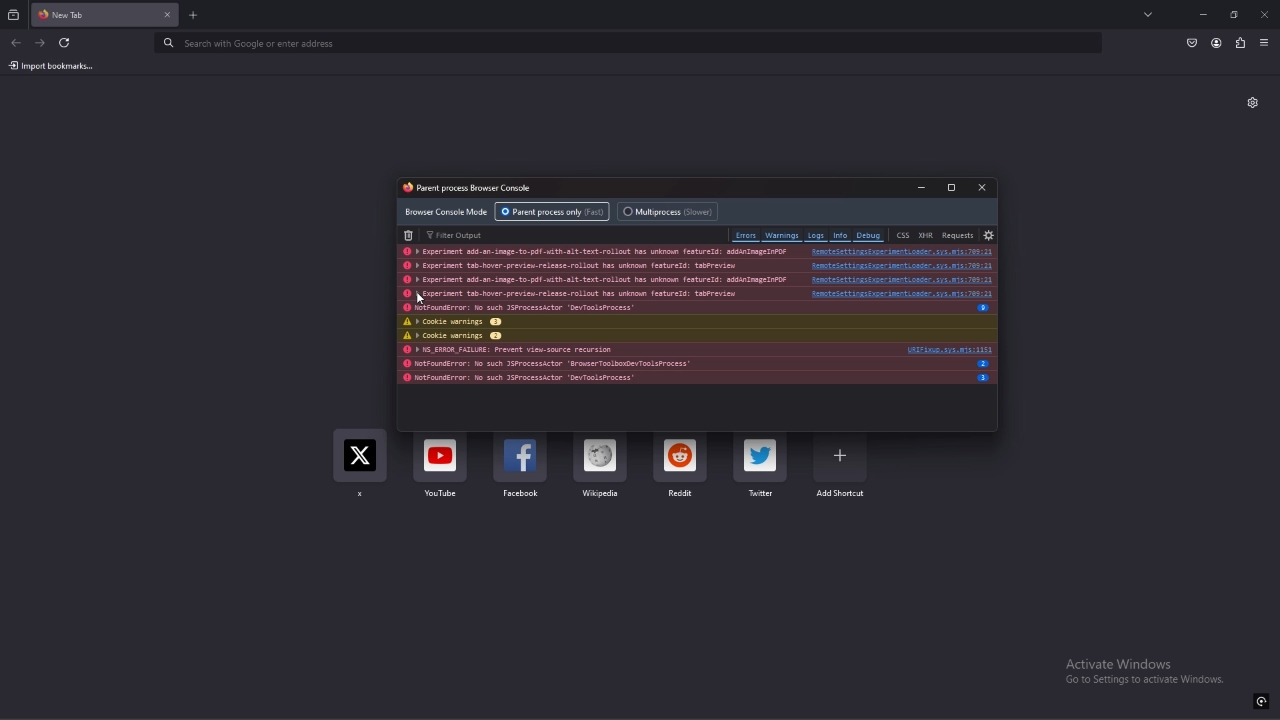 This screenshot has width=1280, height=720. Describe the element at coordinates (589, 350) in the screenshot. I see `log` at that location.